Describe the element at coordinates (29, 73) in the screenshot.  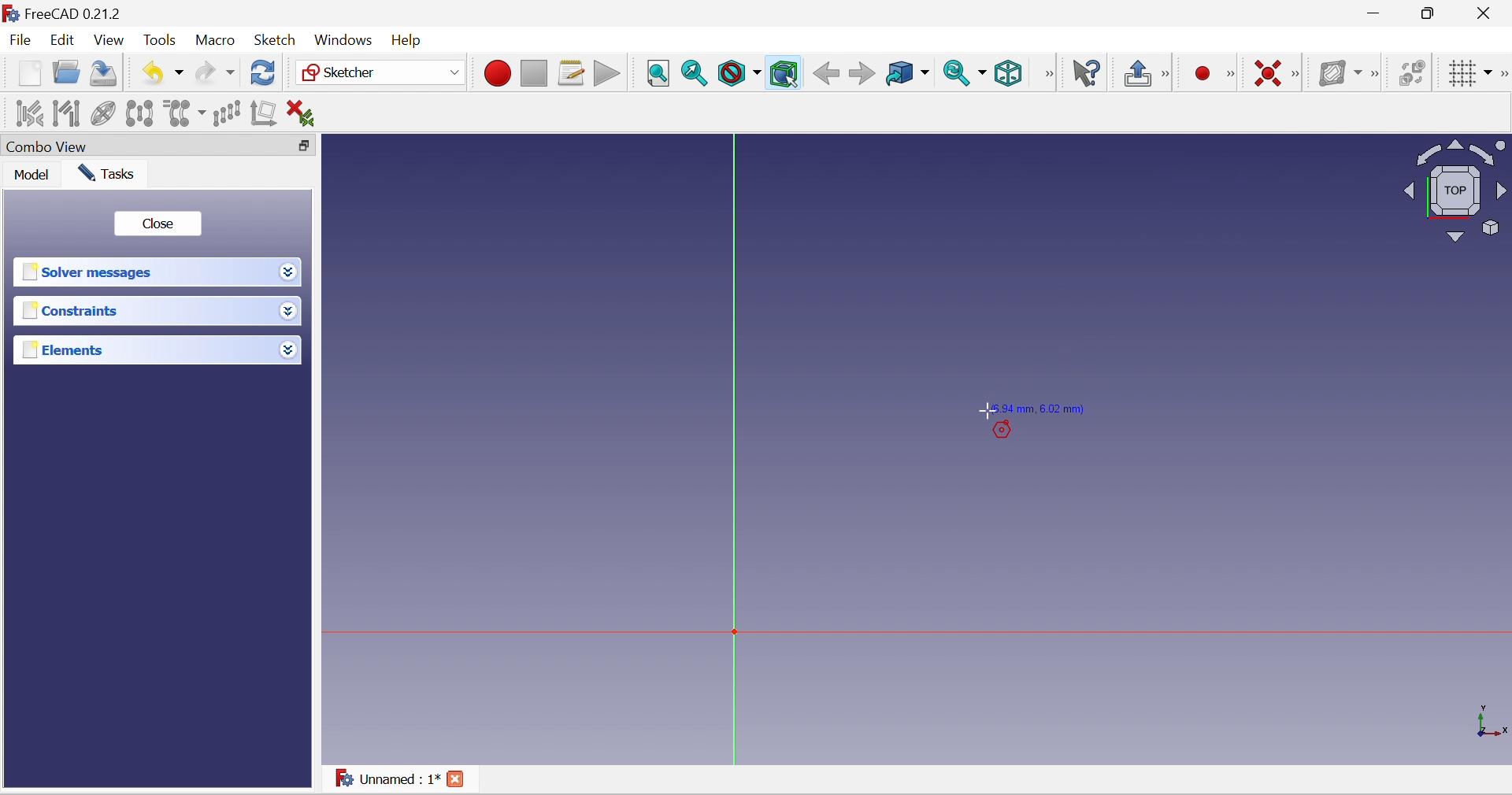
I see `New` at that location.